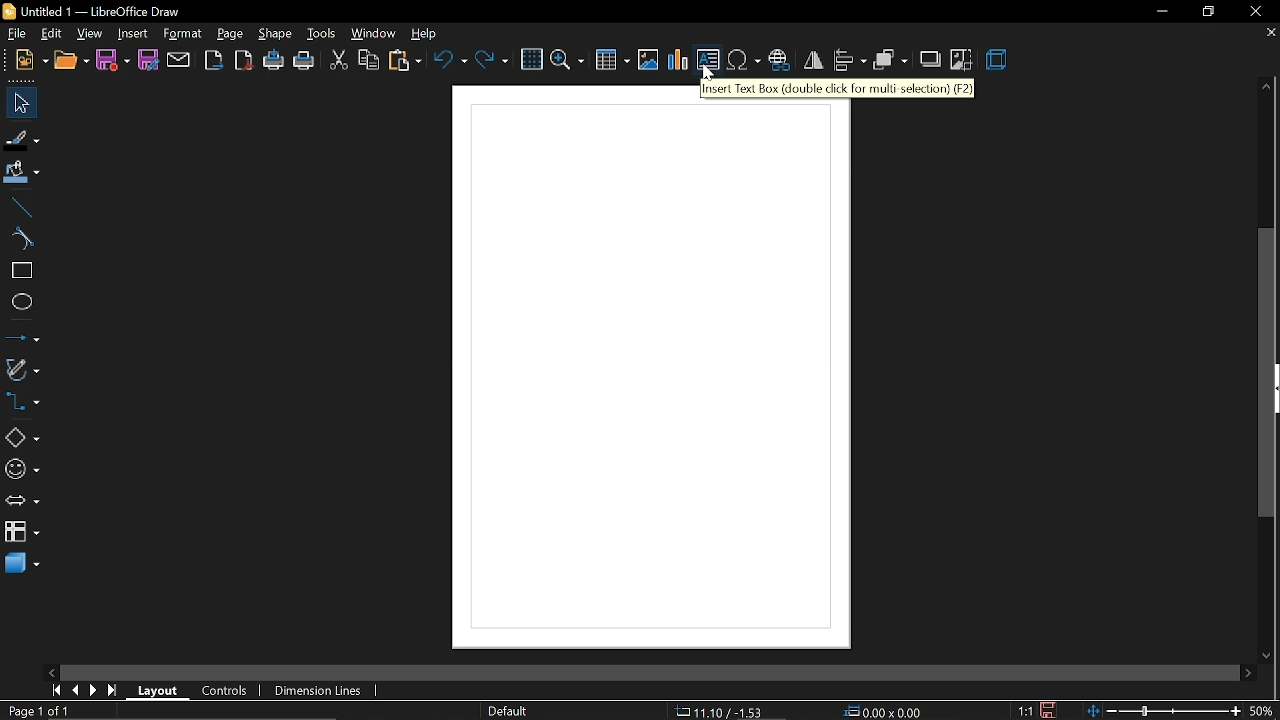  I want to click on minimize, so click(1162, 12).